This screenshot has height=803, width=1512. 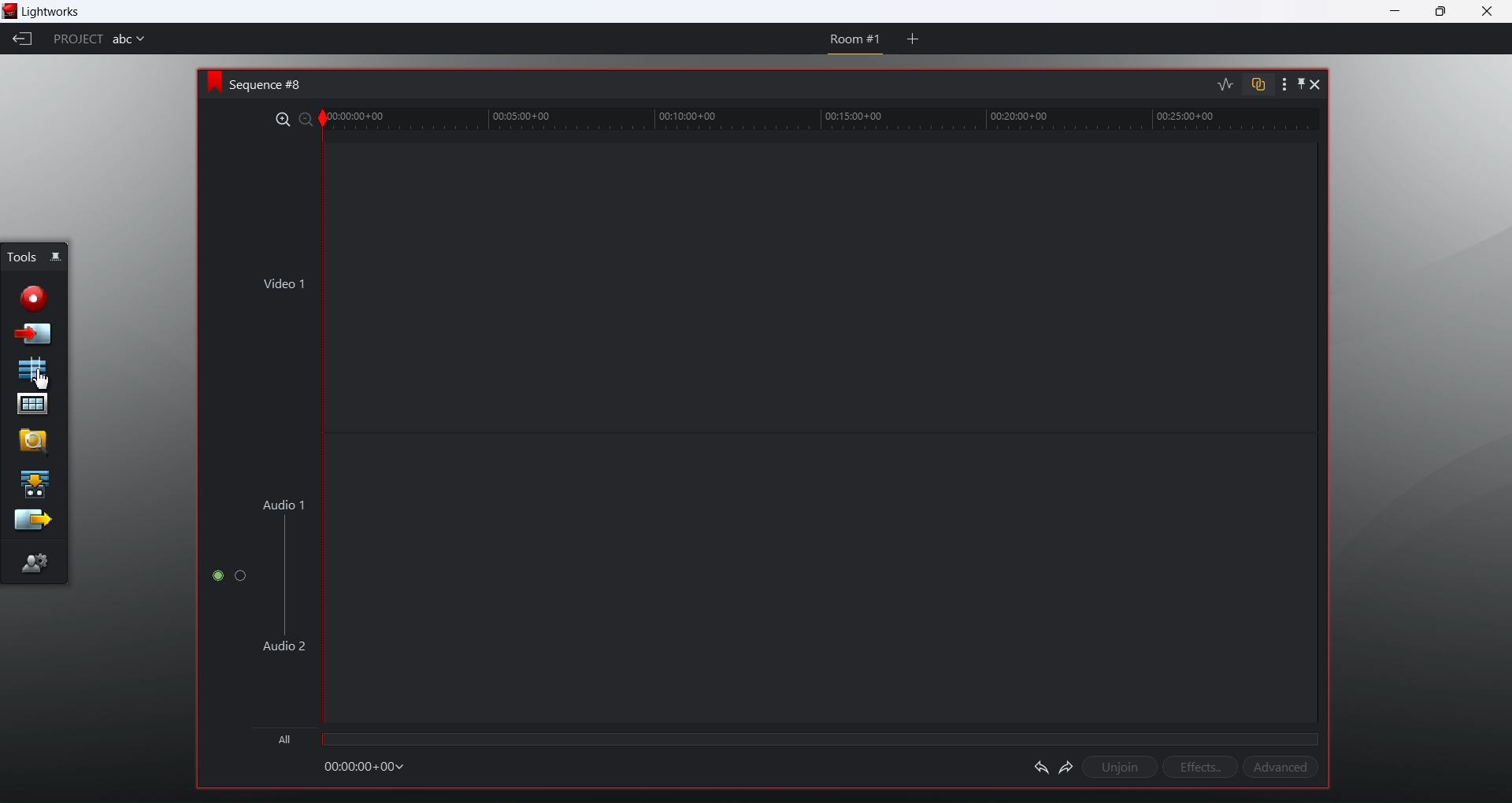 What do you see at coordinates (302, 120) in the screenshot?
I see `zoom out` at bounding box center [302, 120].